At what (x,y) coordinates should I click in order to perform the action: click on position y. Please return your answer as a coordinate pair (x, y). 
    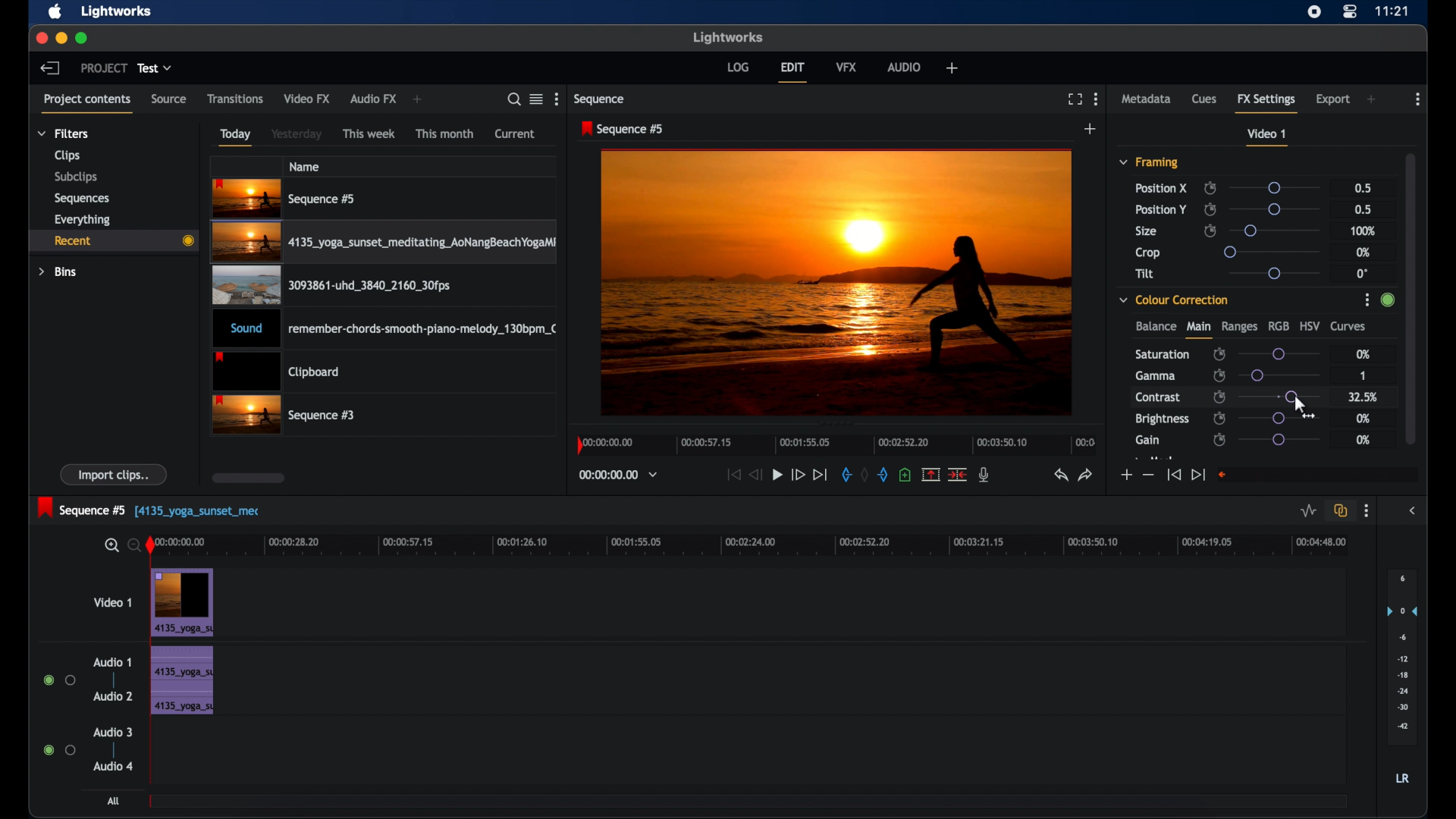
    Looking at the image, I should click on (1160, 209).